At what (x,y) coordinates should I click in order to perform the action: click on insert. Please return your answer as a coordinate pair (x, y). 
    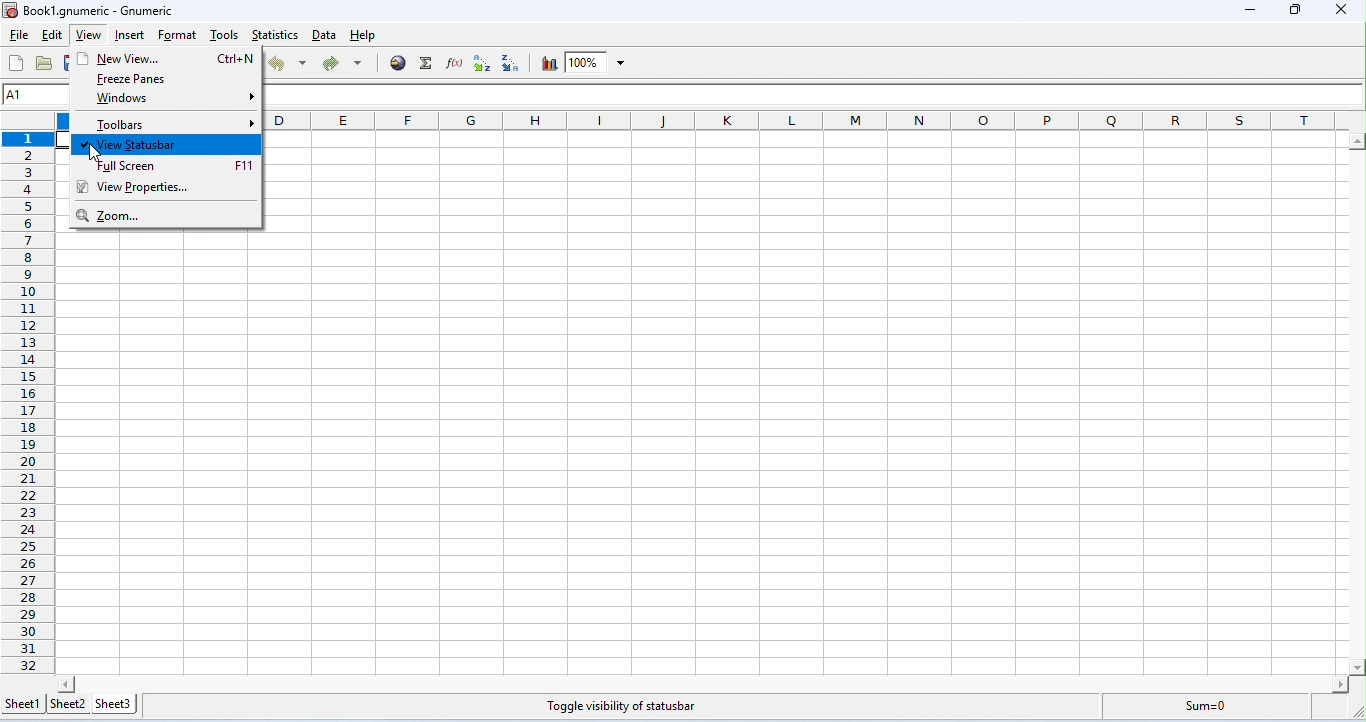
    Looking at the image, I should click on (130, 36).